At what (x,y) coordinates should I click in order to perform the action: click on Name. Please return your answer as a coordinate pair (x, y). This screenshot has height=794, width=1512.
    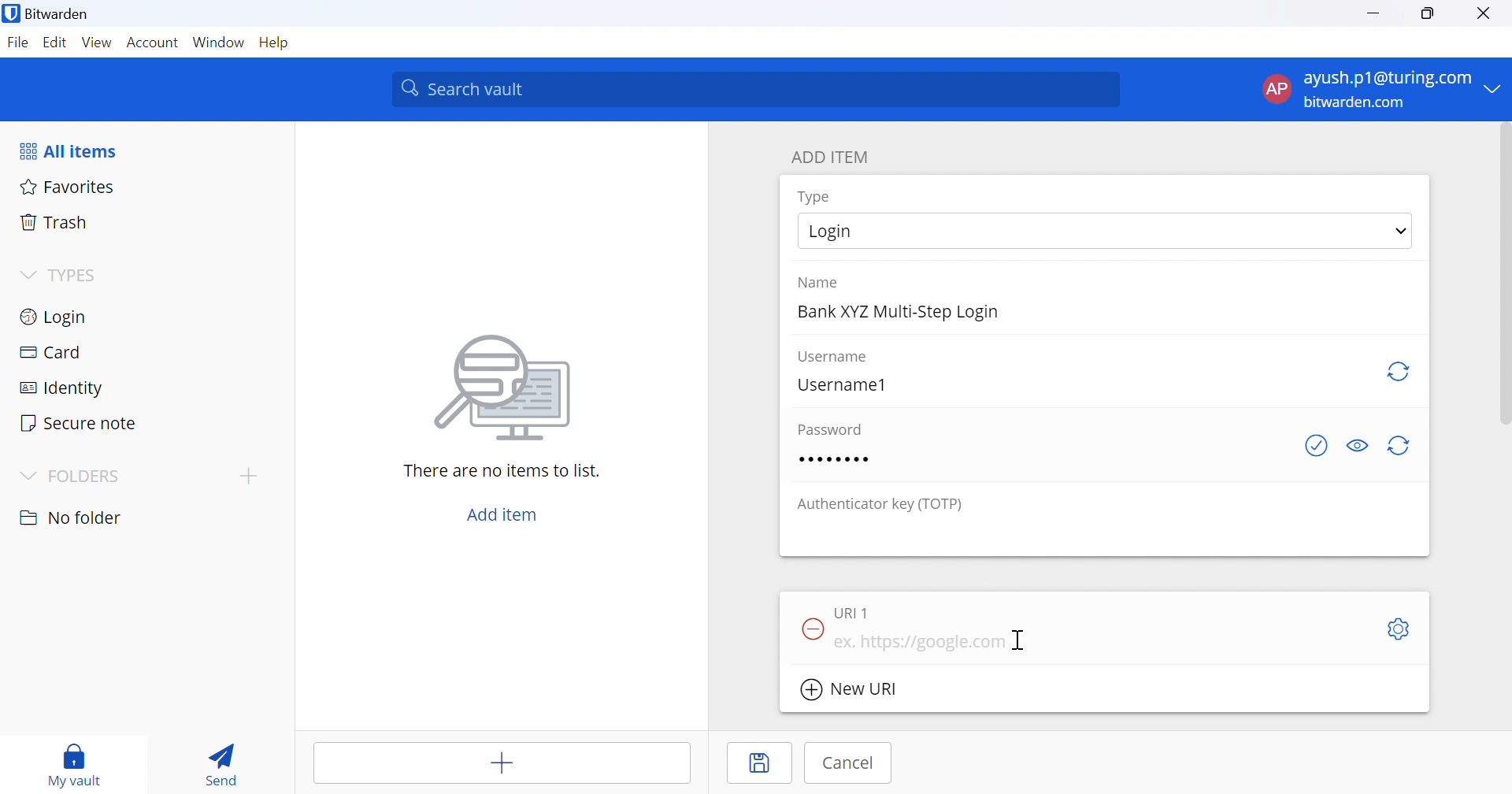
    Looking at the image, I should click on (821, 283).